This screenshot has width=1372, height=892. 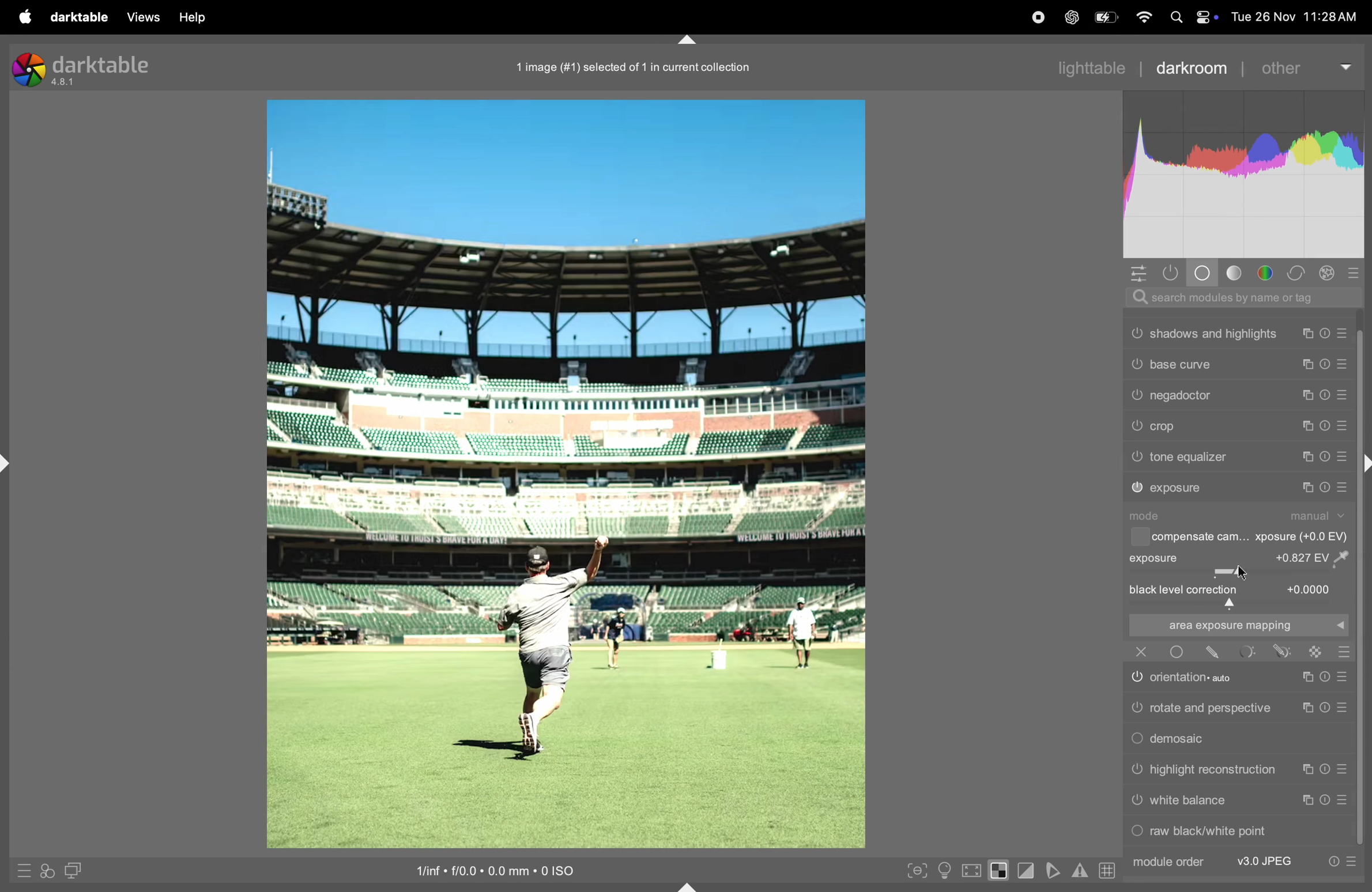 What do you see at coordinates (1343, 487) in the screenshot?
I see `Presets ` at bounding box center [1343, 487].